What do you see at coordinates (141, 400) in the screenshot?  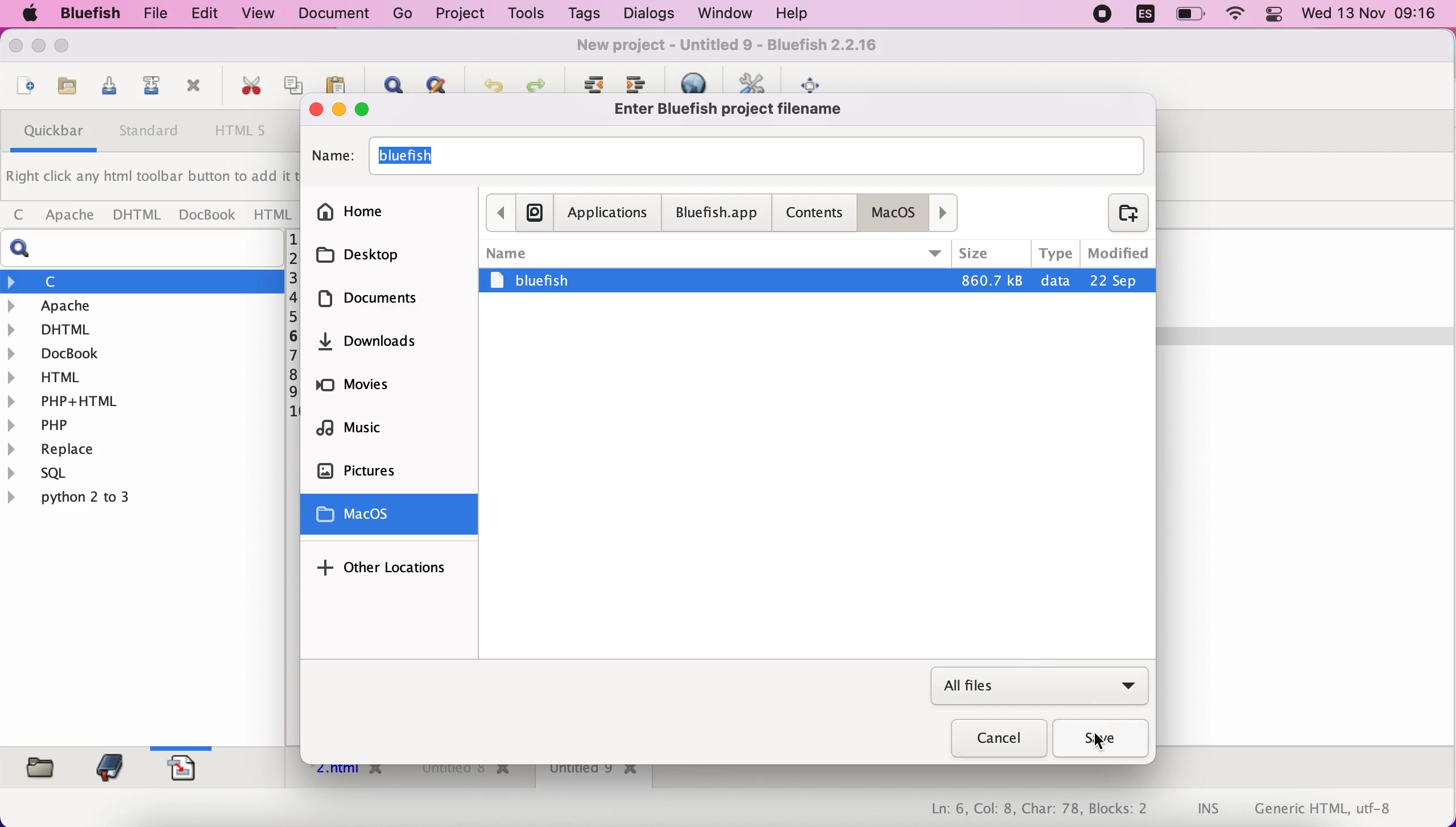 I see `php+html` at bounding box center [141, 400].